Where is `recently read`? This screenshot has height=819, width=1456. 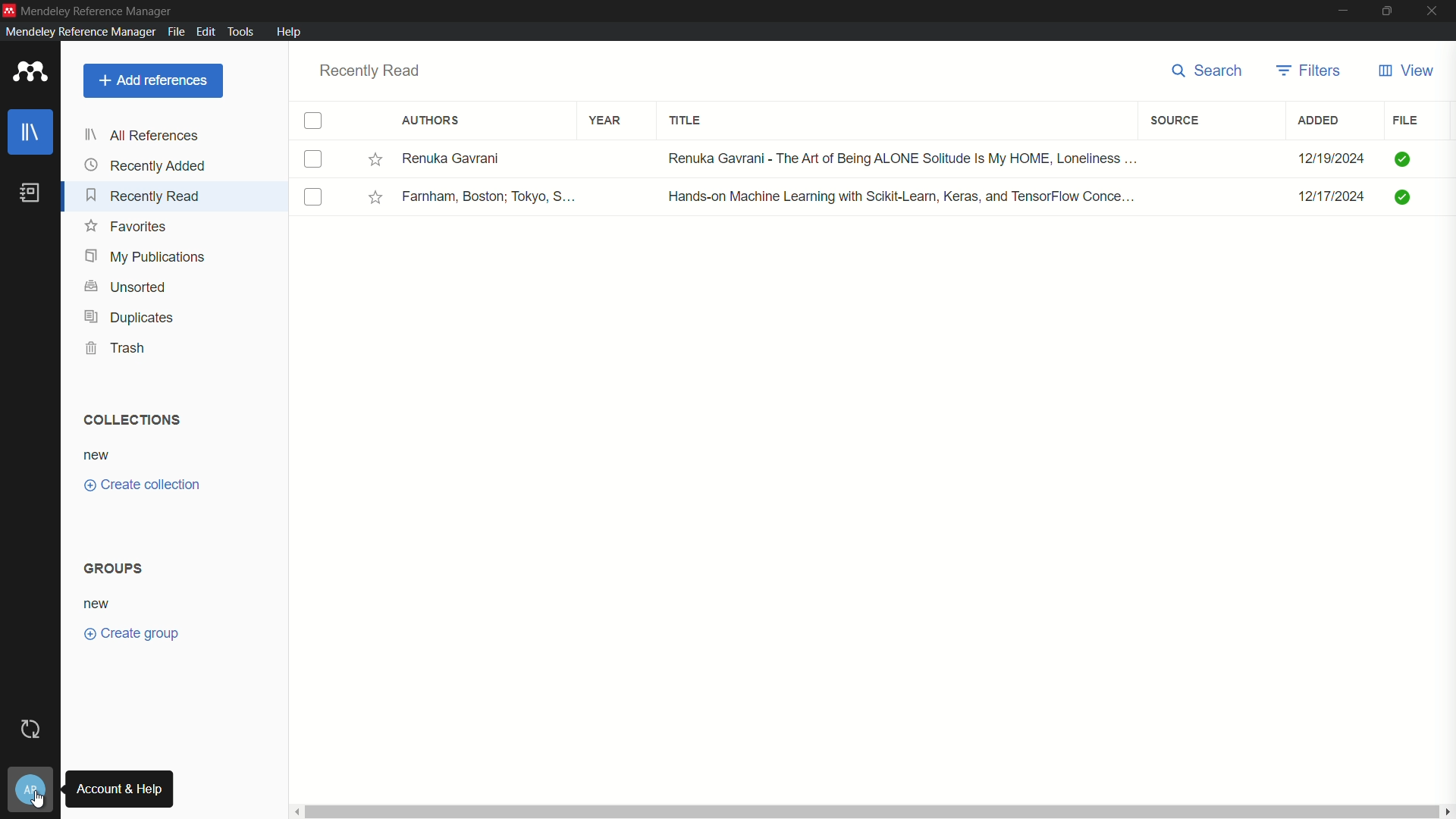 recently read is located at coordinates (370, 71).